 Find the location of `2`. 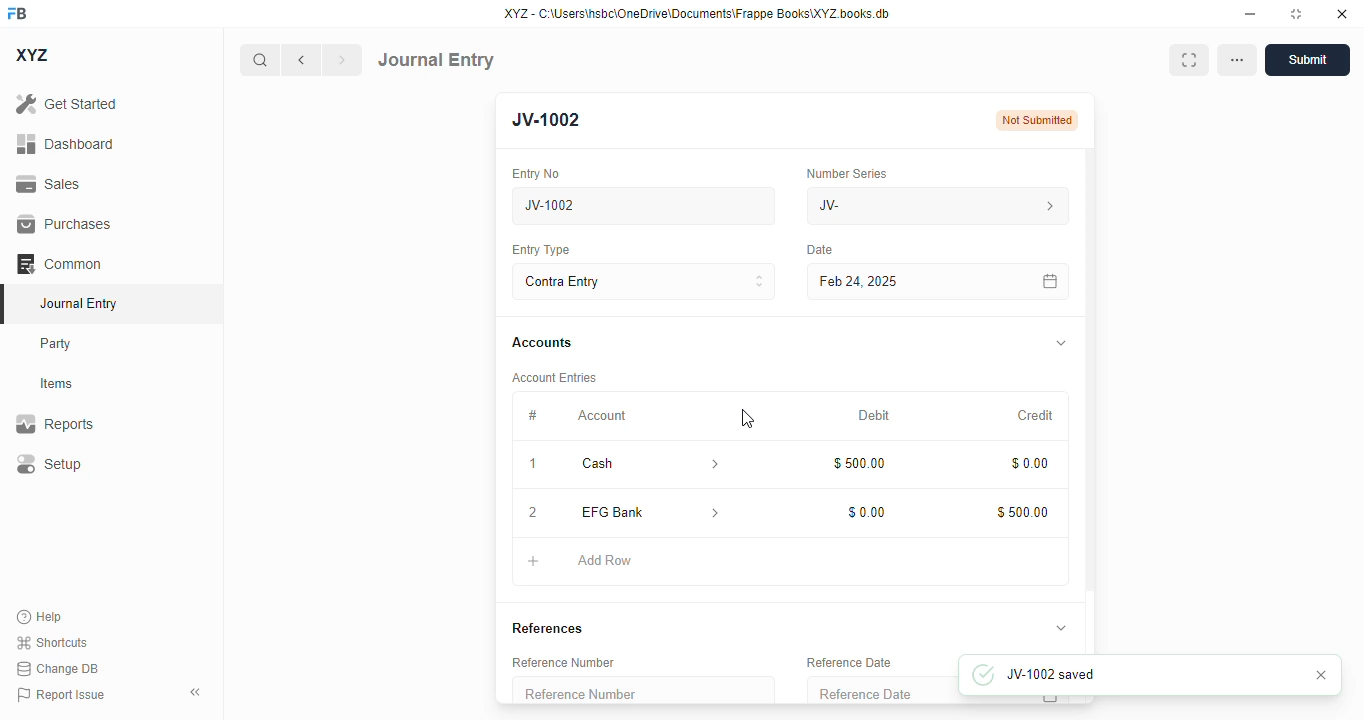

2 is located at coordinates (533, 513).